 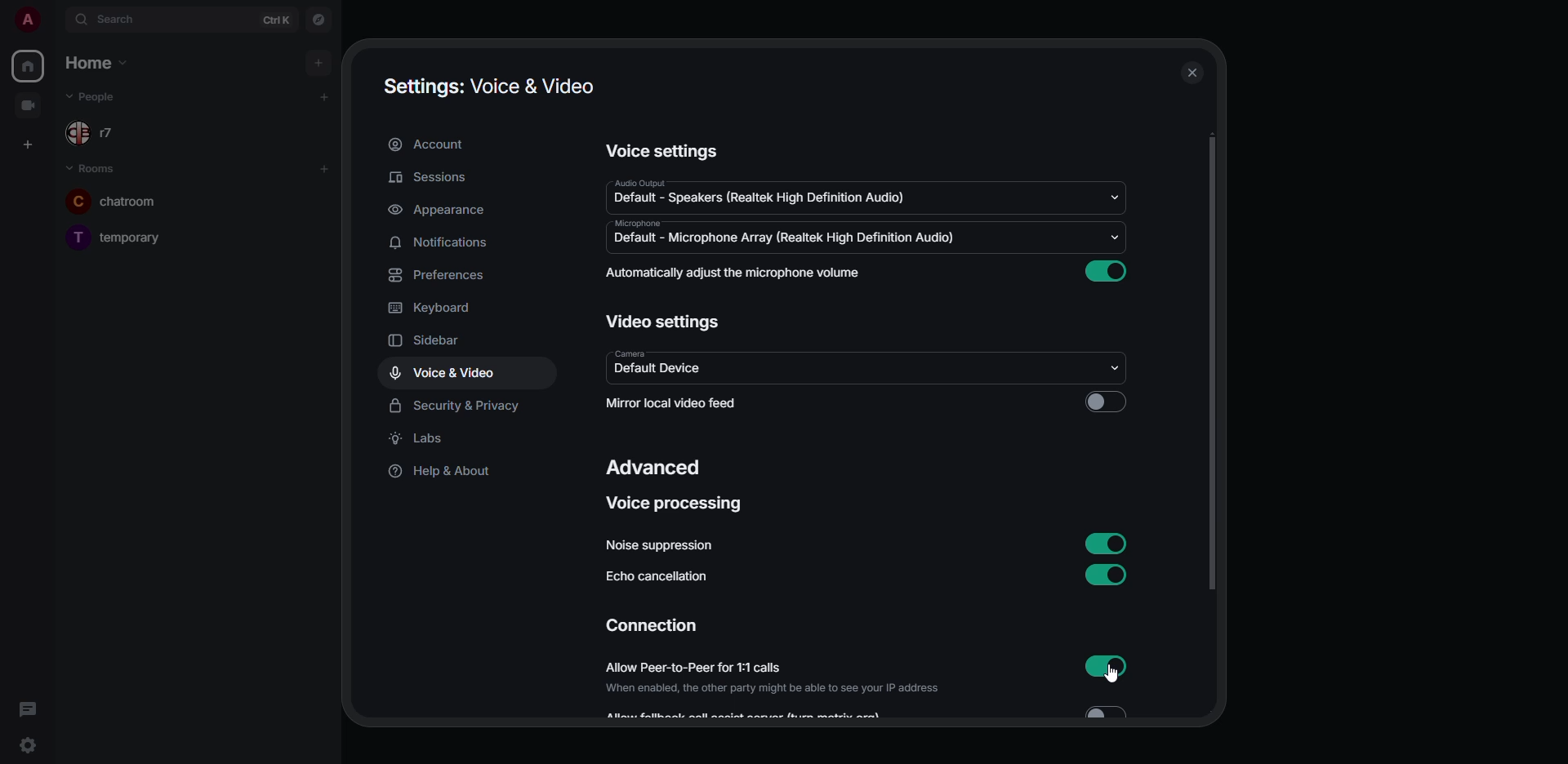 What do you see at coordinates (278, 19) in the screenshot?
I see `ctrl K` at bounding box center [278, 19].